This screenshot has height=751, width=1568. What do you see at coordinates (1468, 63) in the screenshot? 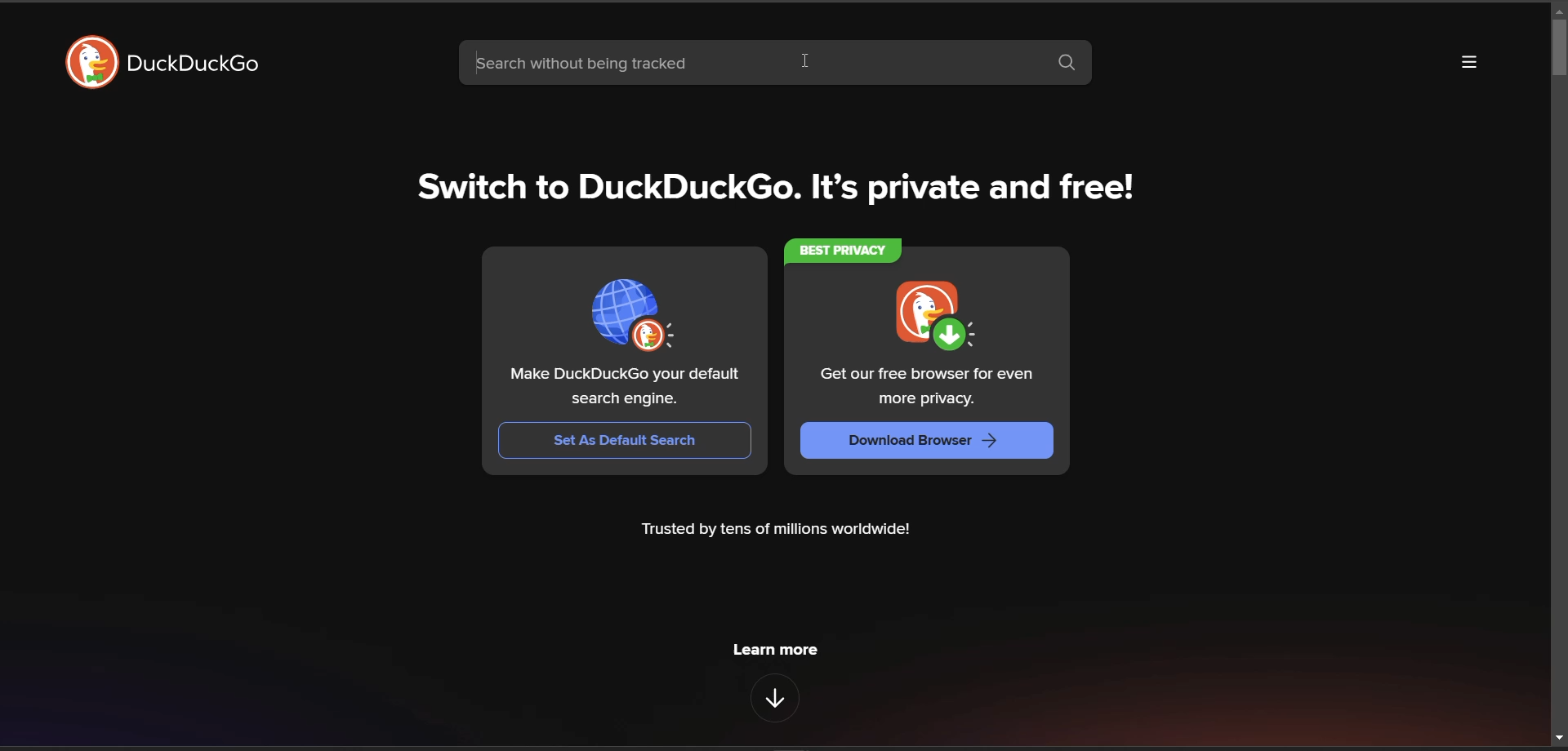
I see `more options` at bounding box center [1468, 63].